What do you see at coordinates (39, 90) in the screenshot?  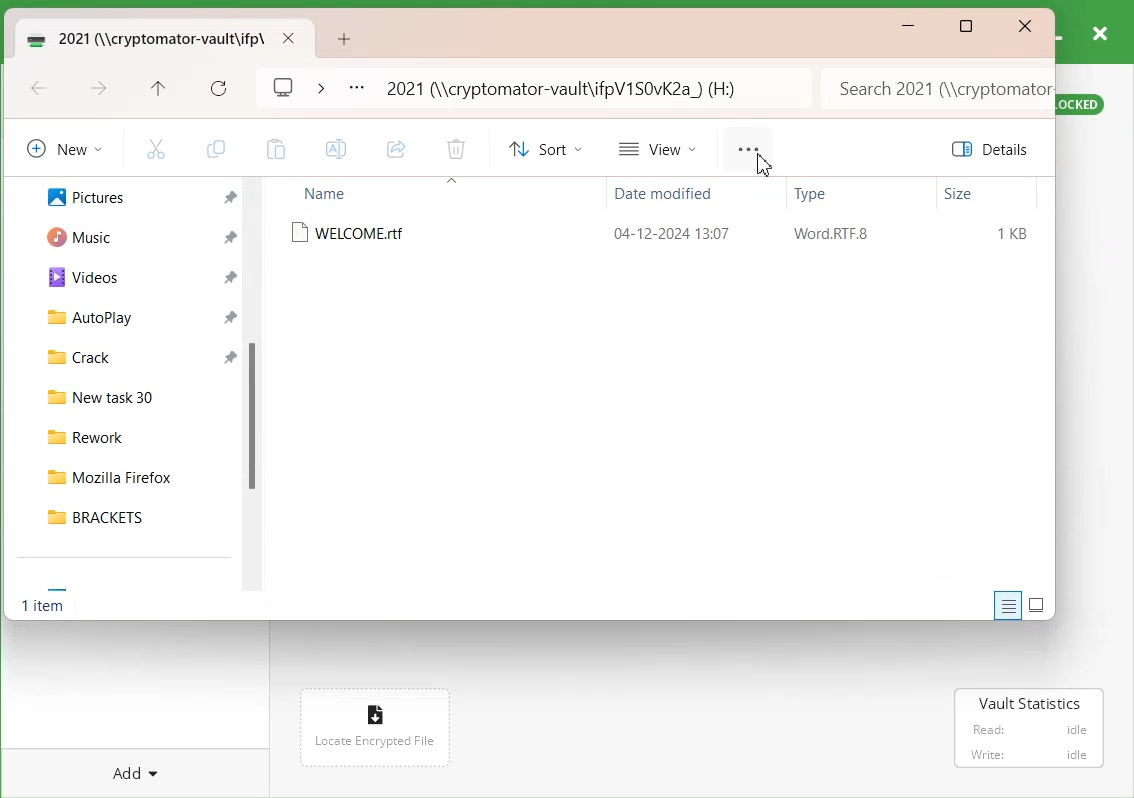 I see `Go Back` at bounding box center [39, 90].